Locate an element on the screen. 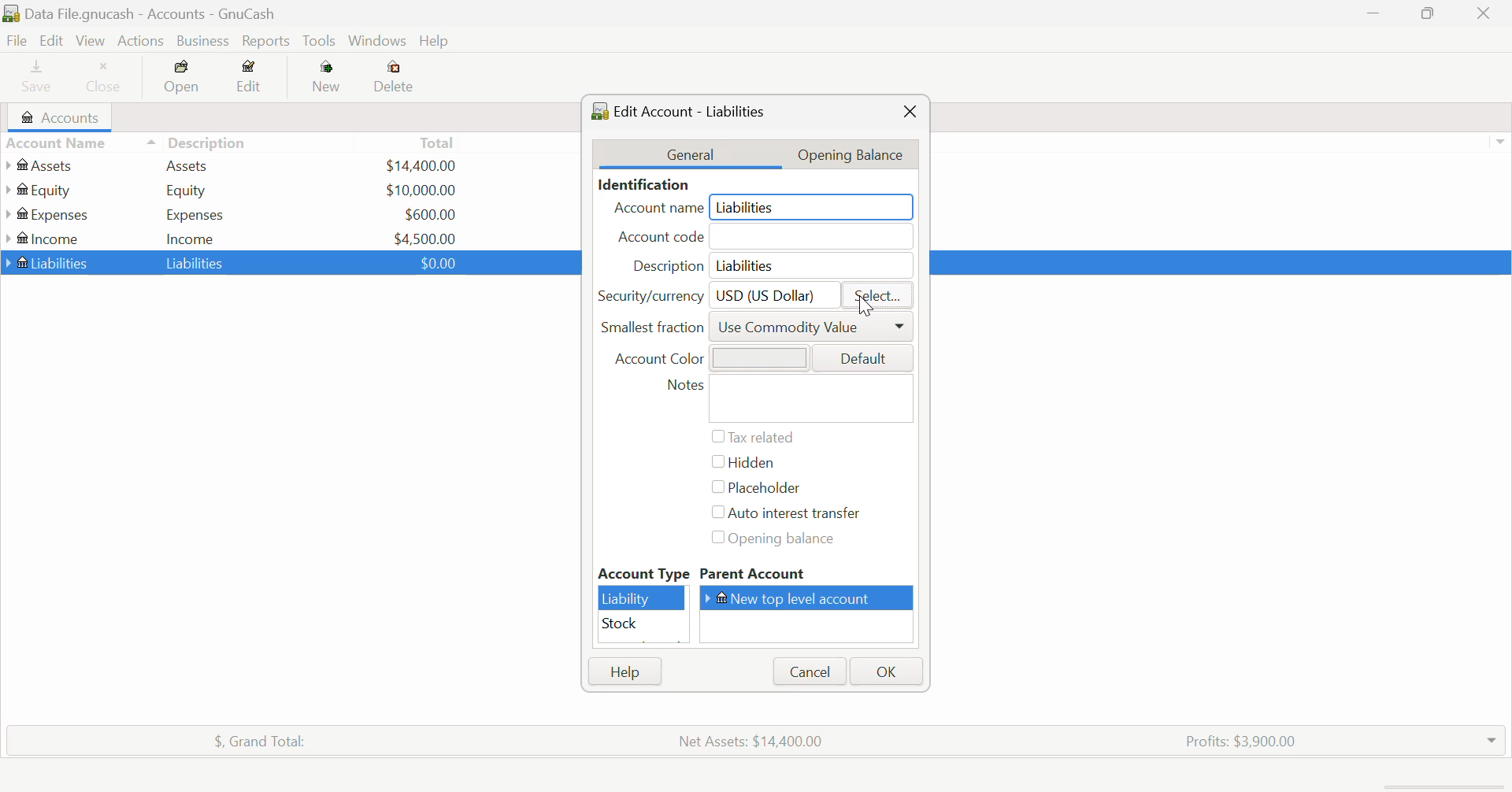 The image size is (1512, 792). Total is located at coordinates (439, 142).